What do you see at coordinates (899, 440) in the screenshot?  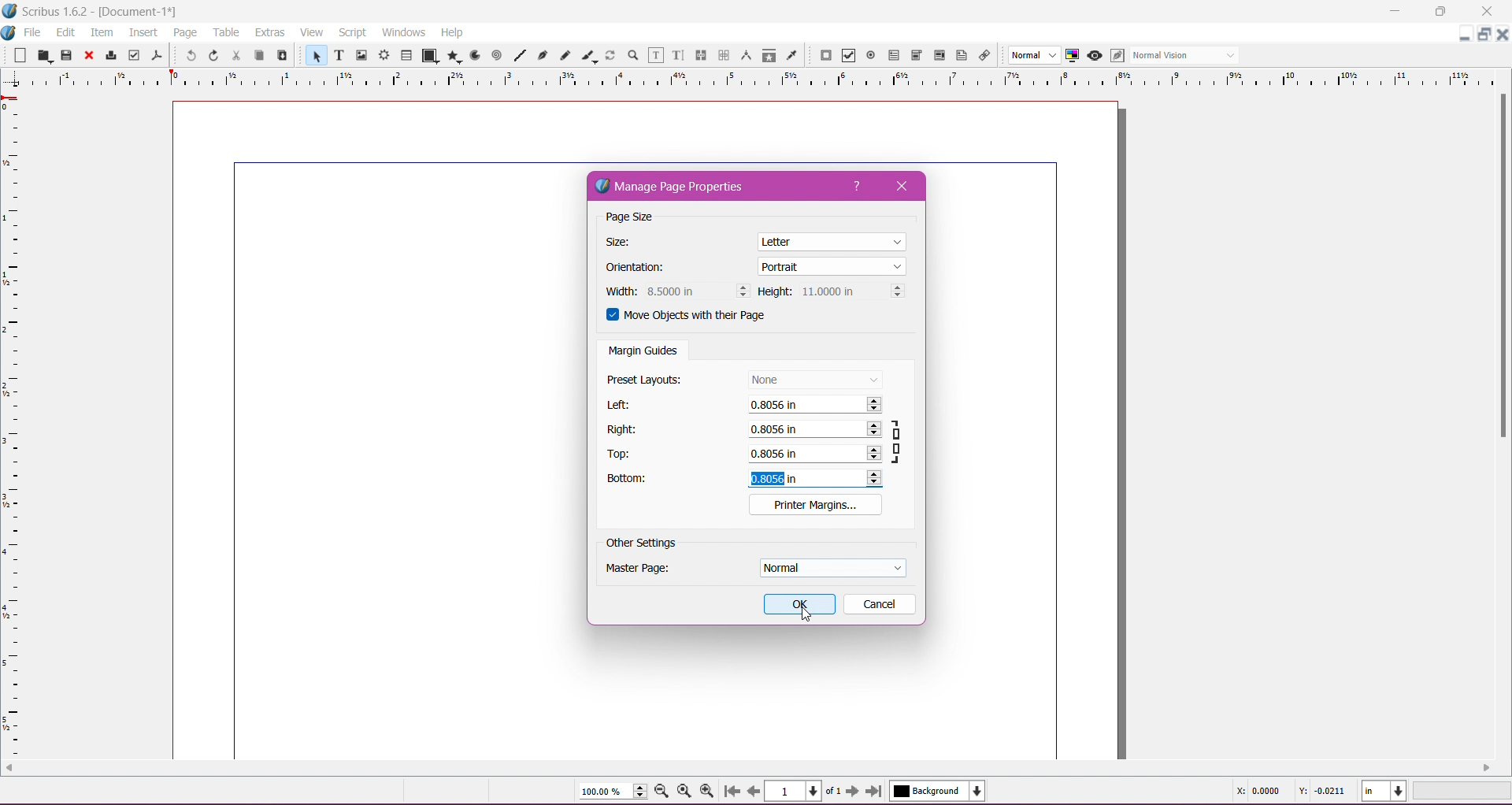 I see `Ensure all margins have same value` at bounding box center [899, 440].